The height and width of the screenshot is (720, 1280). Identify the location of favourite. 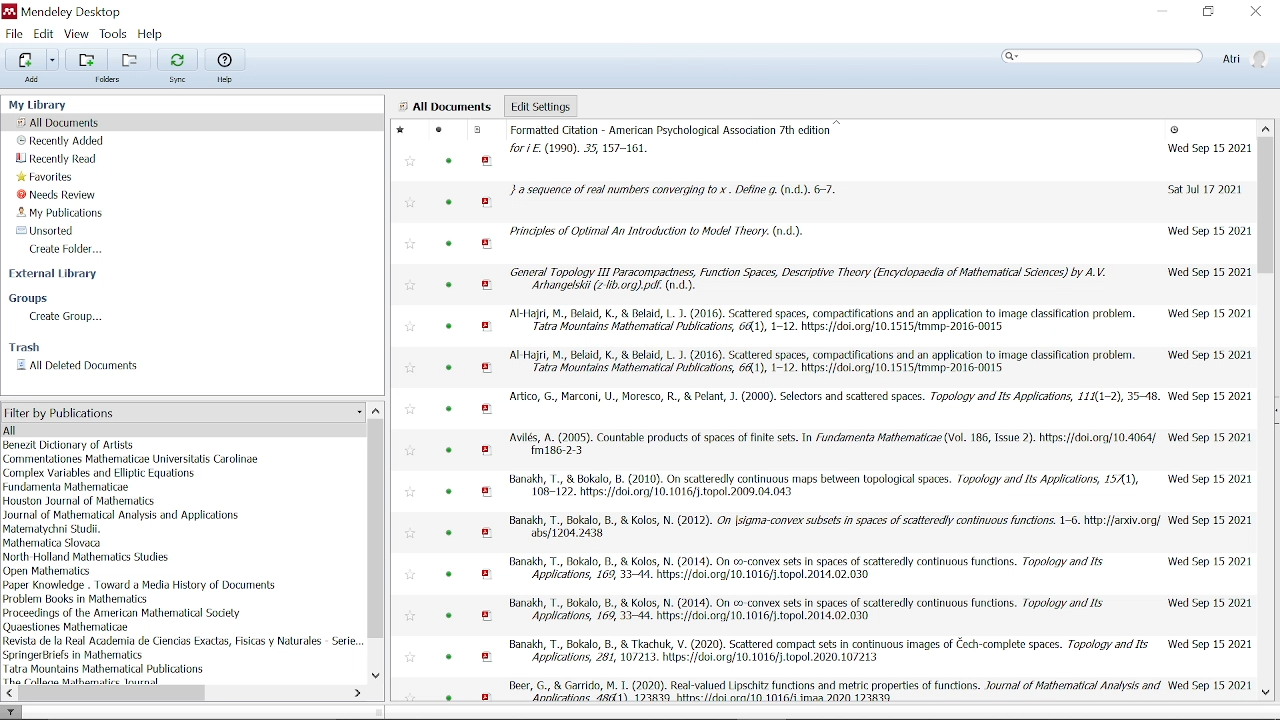
(410, 452).